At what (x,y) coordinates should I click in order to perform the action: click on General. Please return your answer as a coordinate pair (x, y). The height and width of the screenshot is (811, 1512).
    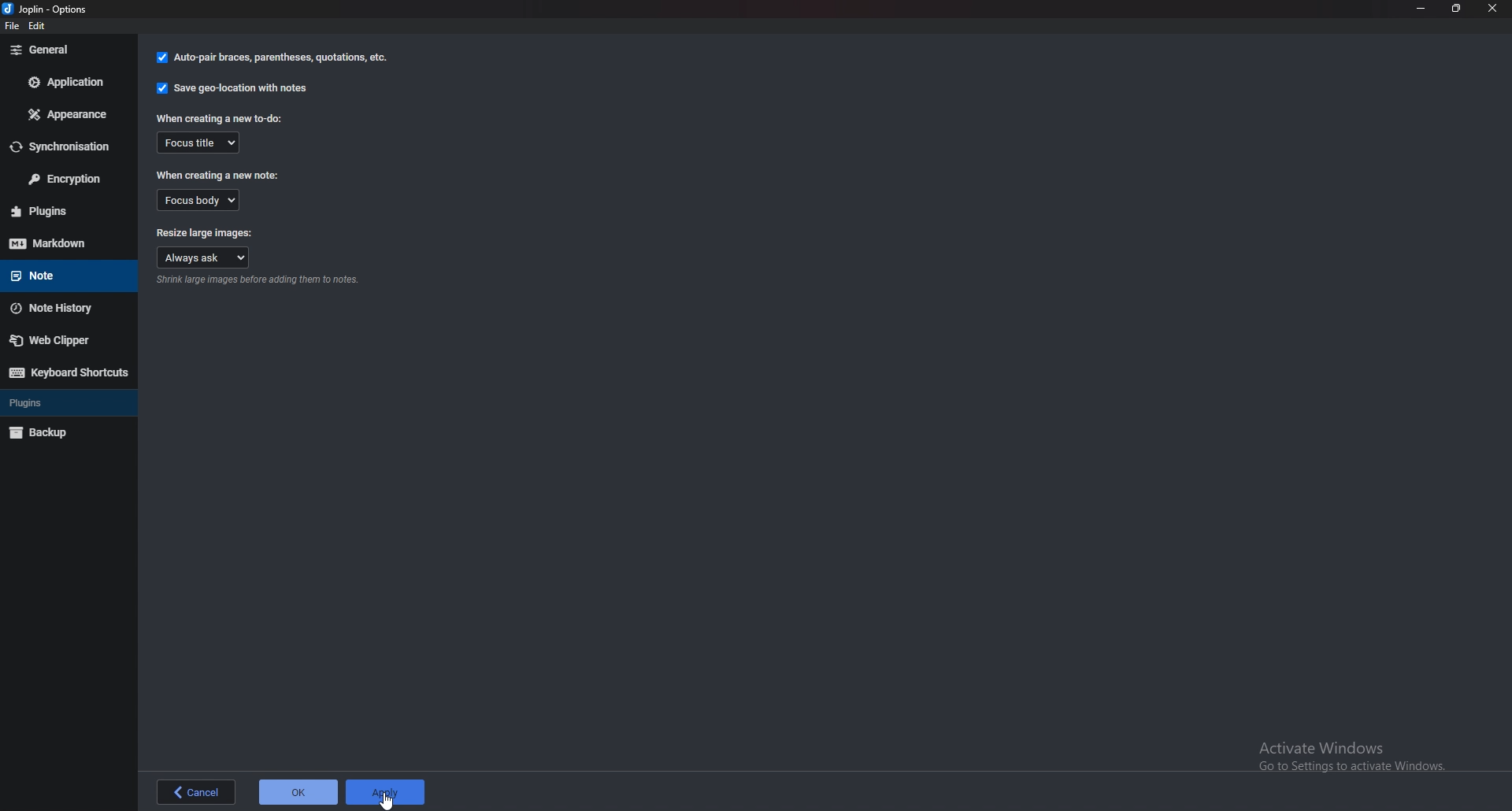
    Looking at the image, I should click on (61, 50).